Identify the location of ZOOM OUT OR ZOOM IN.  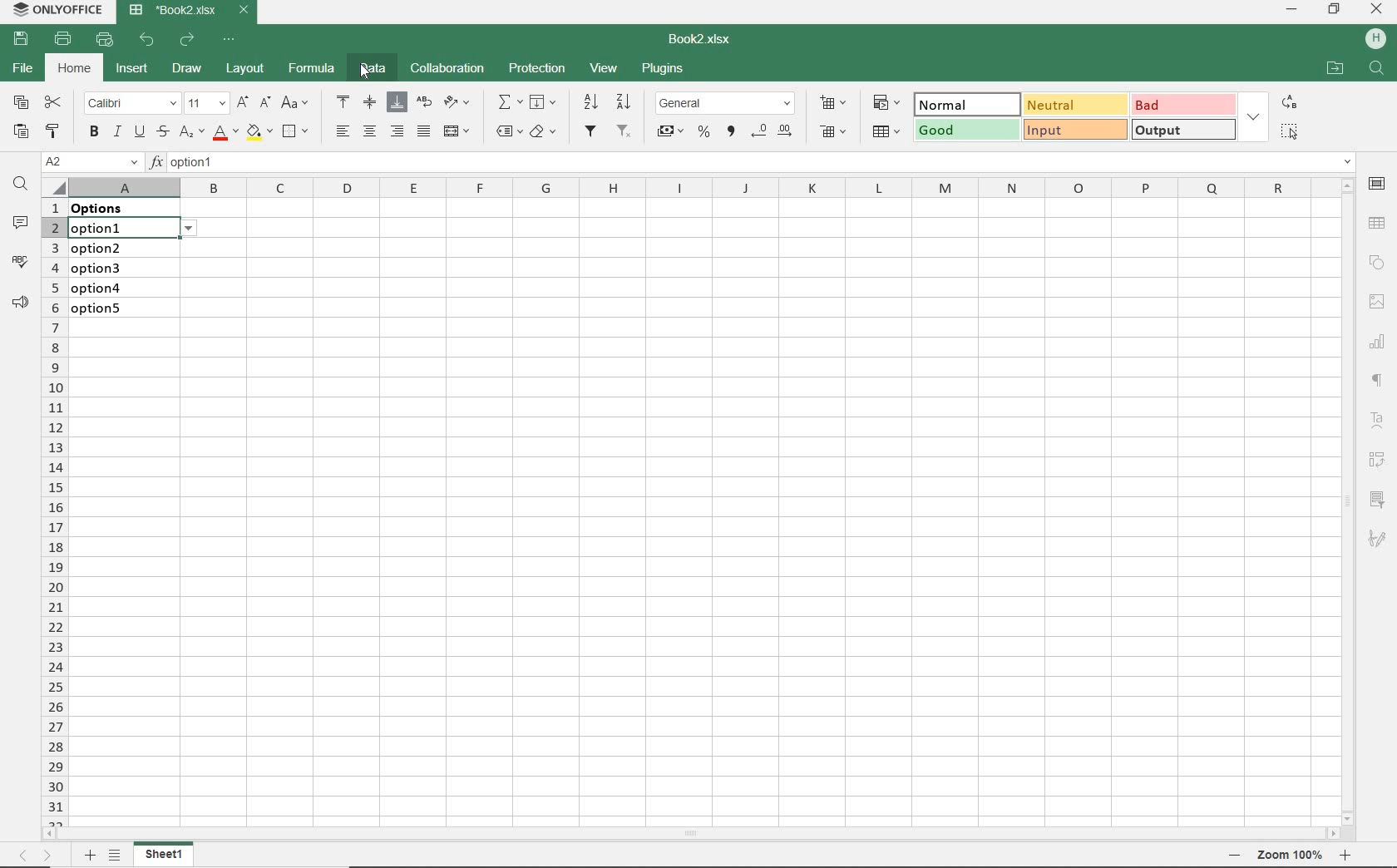
(1291, 856).